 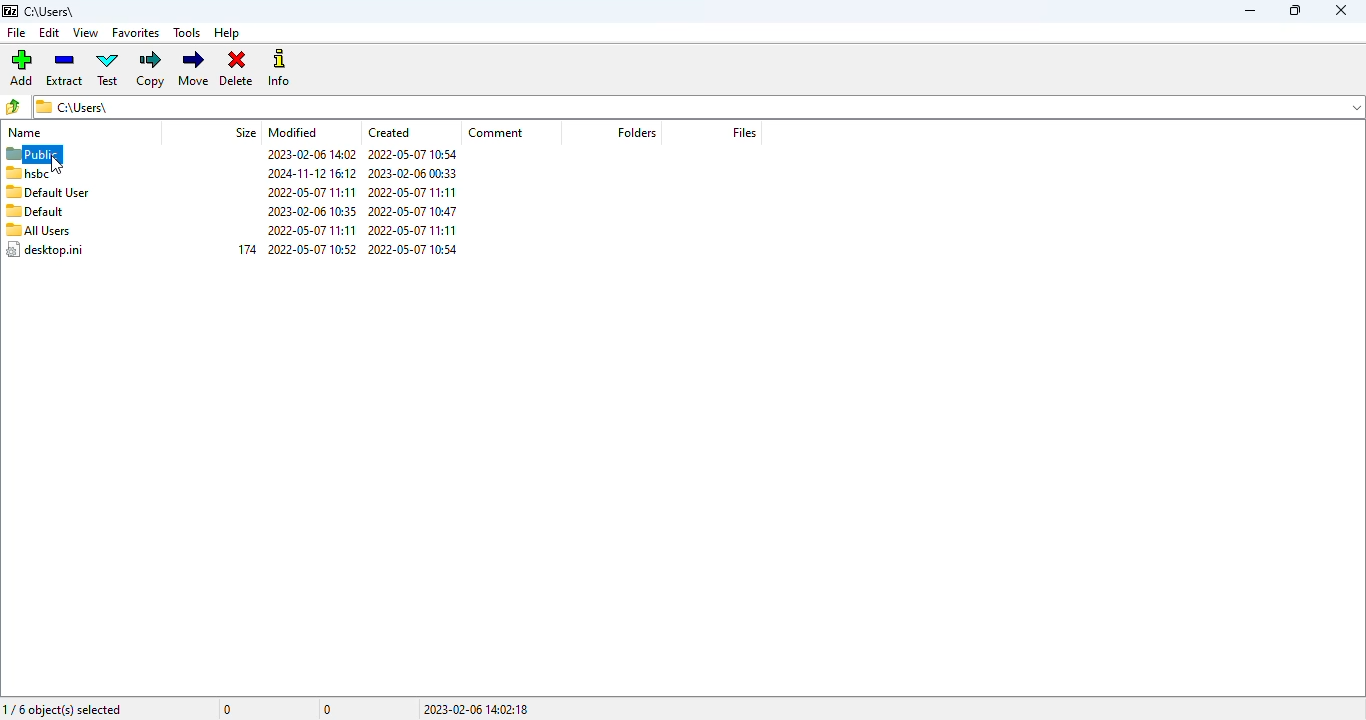 I want to click on 0, so click(x=230, y=710).